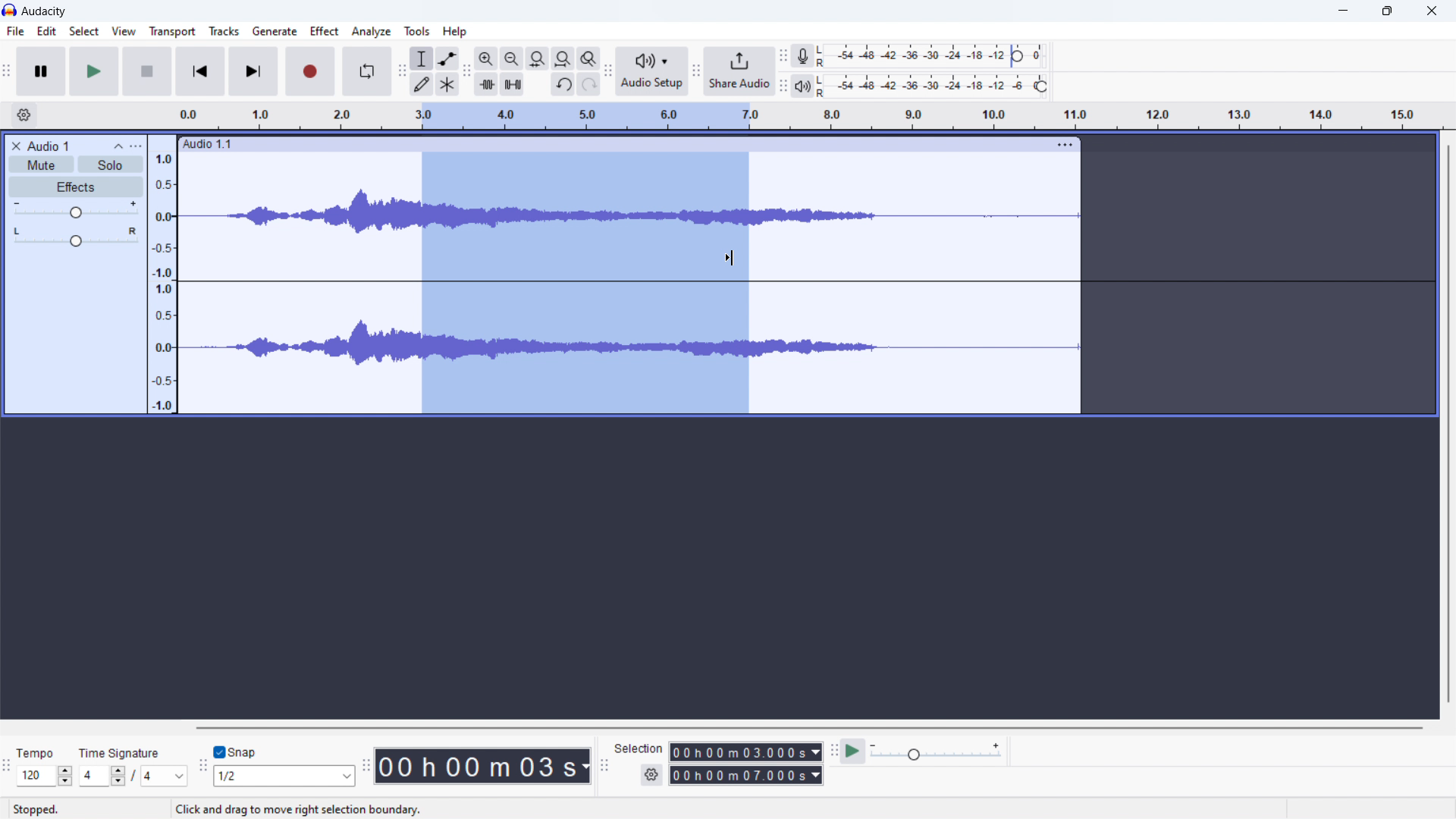 The image size is (1456, 819). What do you see at coordinates (485, 58) in the screenshot?
I see `zoom in` at bounding box center [485, 58].